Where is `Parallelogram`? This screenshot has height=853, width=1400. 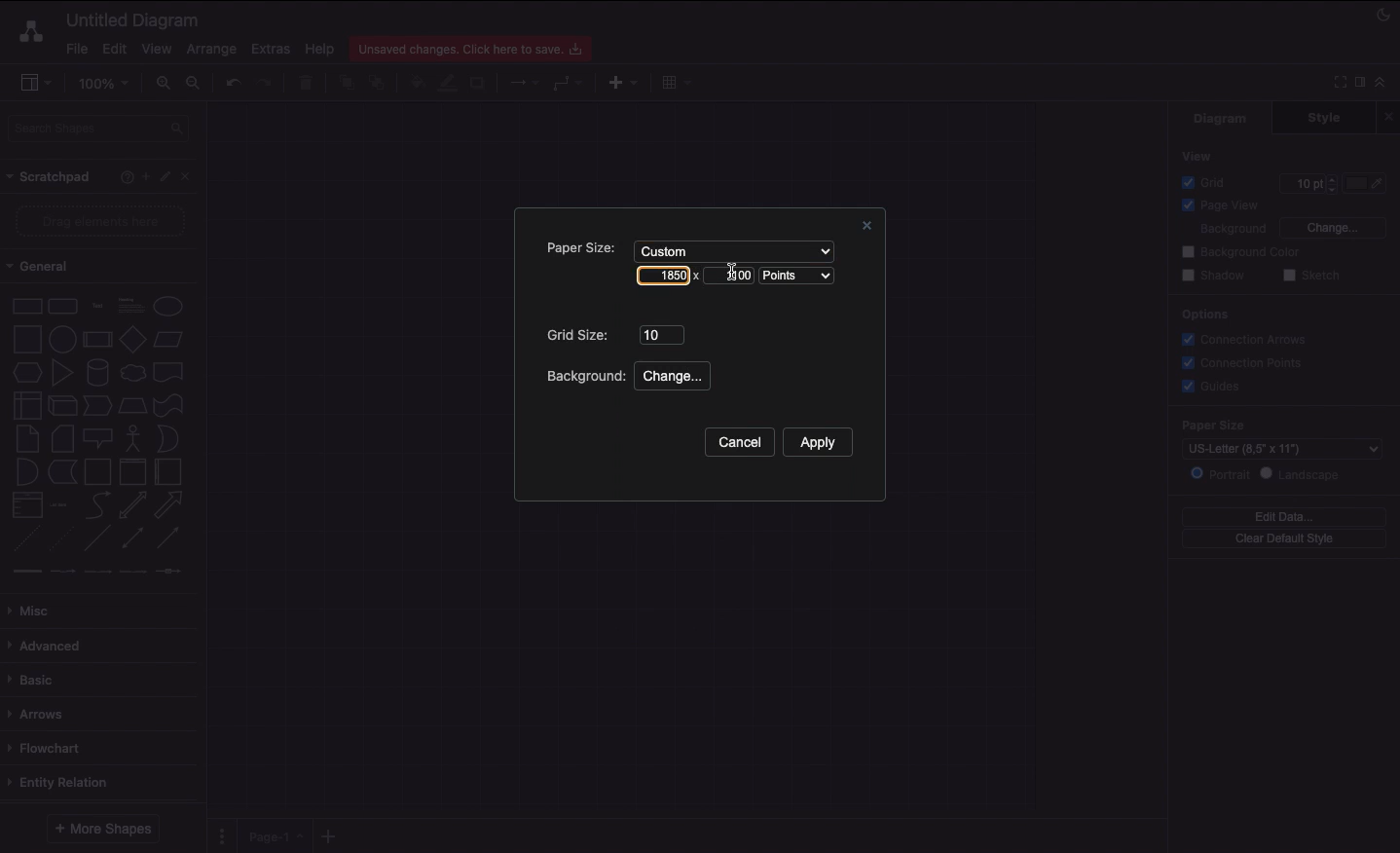 Parallelogram is located at coordinates (169, 340).